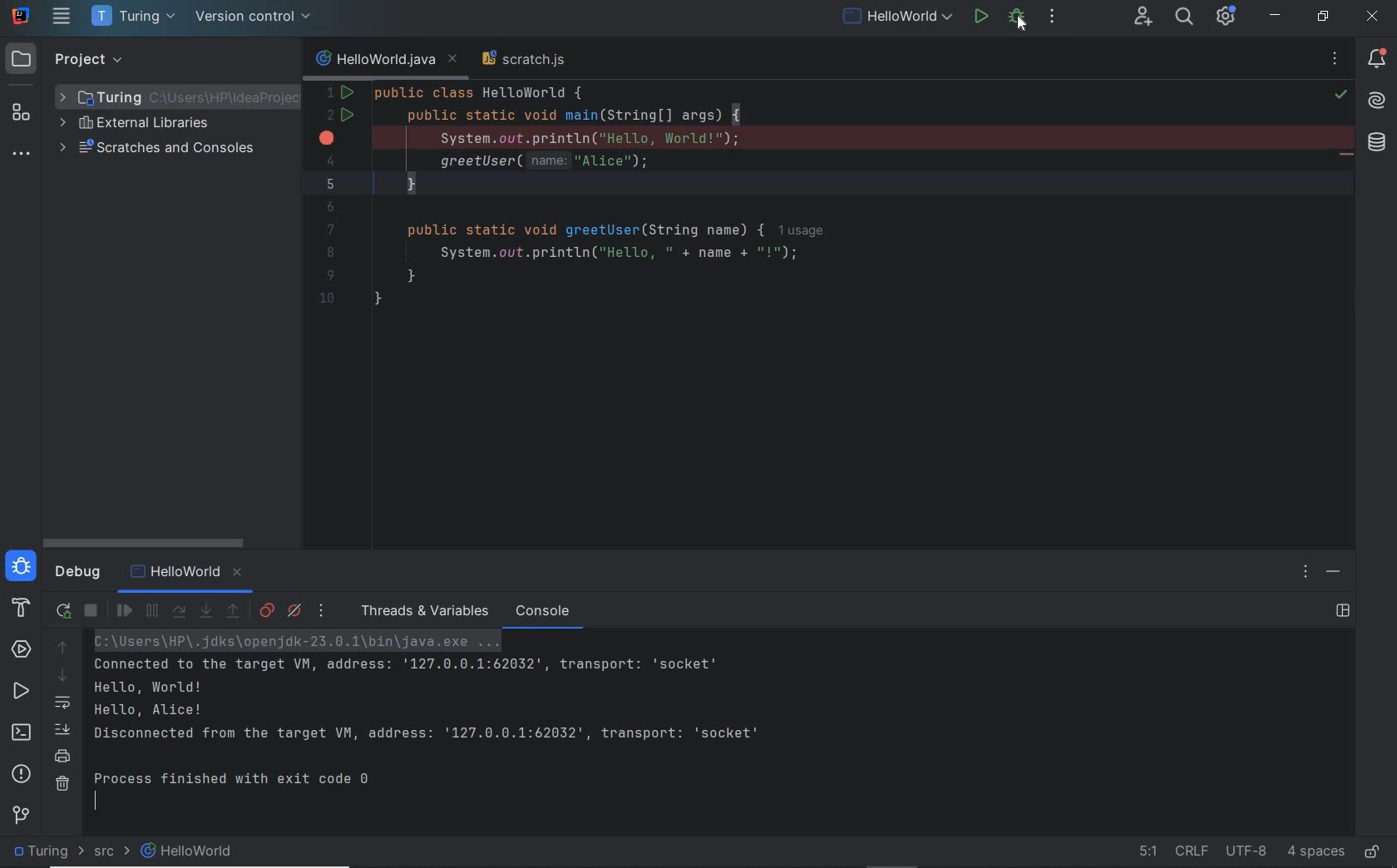 The width and height of the screenshot is (1397, 868). I want to click on caret at line 3, so click(836, 136).